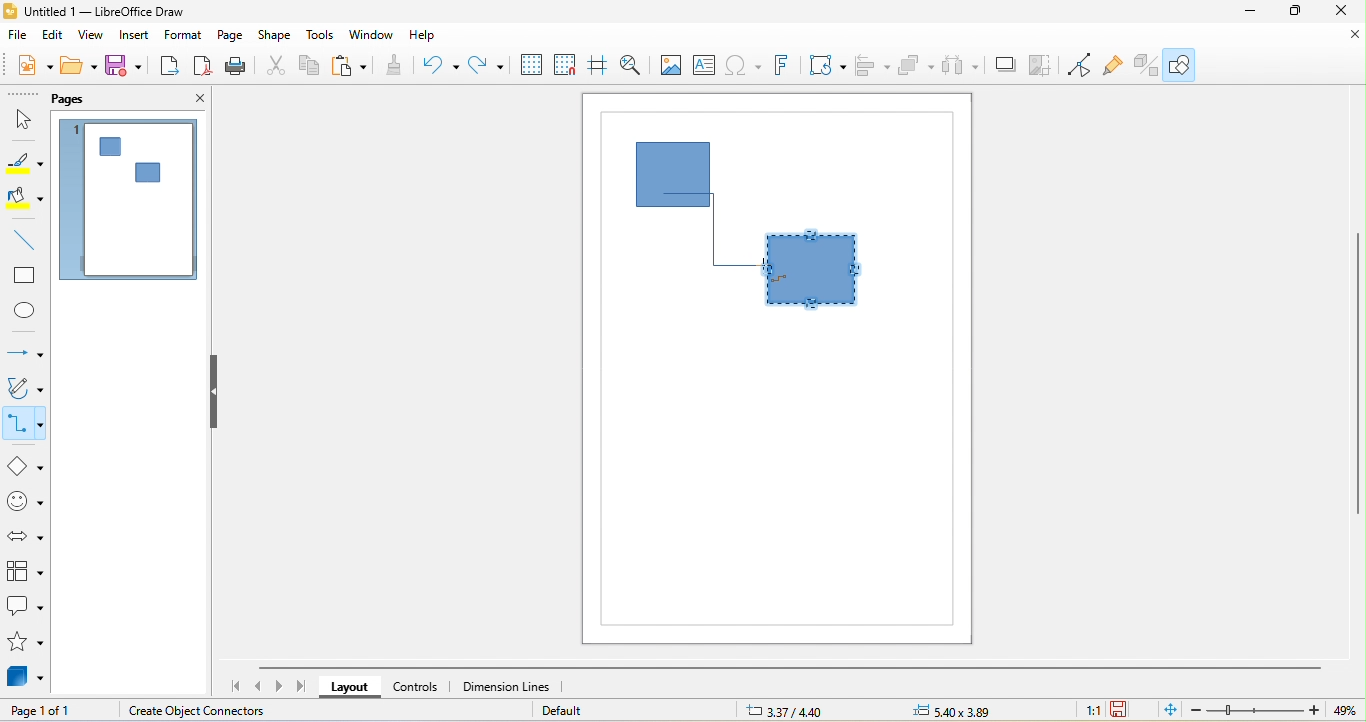 This screenshot has width=1366, height=722. I want to click on zoom, so click(1278, 709).